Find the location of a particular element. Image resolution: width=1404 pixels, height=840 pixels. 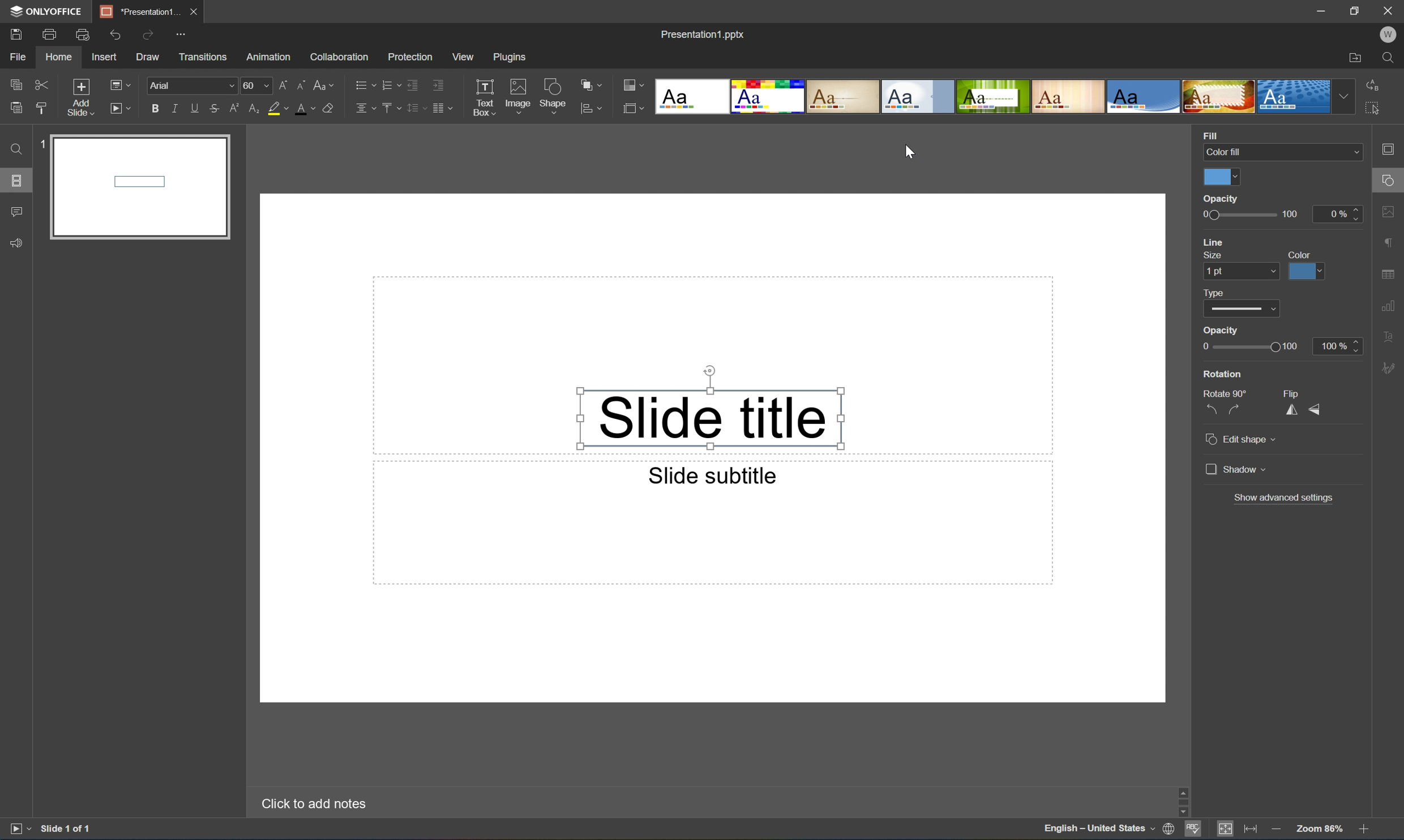

Rotate 90° is located at coordinates (1224, 391).